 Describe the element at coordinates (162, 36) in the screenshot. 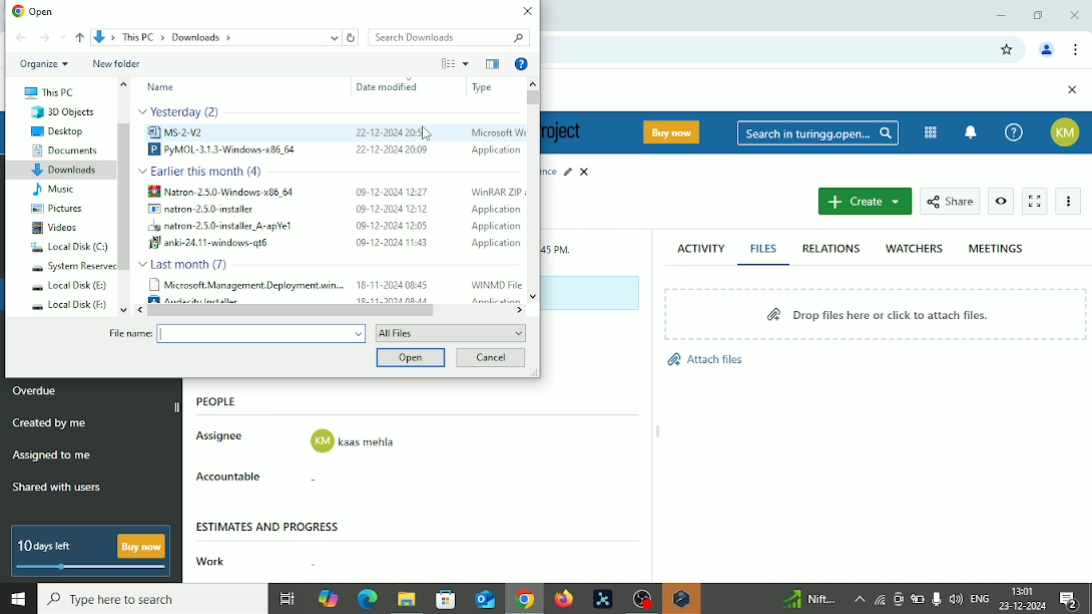

I see `path: downloads» Ths PC » Downloads »` at that location.